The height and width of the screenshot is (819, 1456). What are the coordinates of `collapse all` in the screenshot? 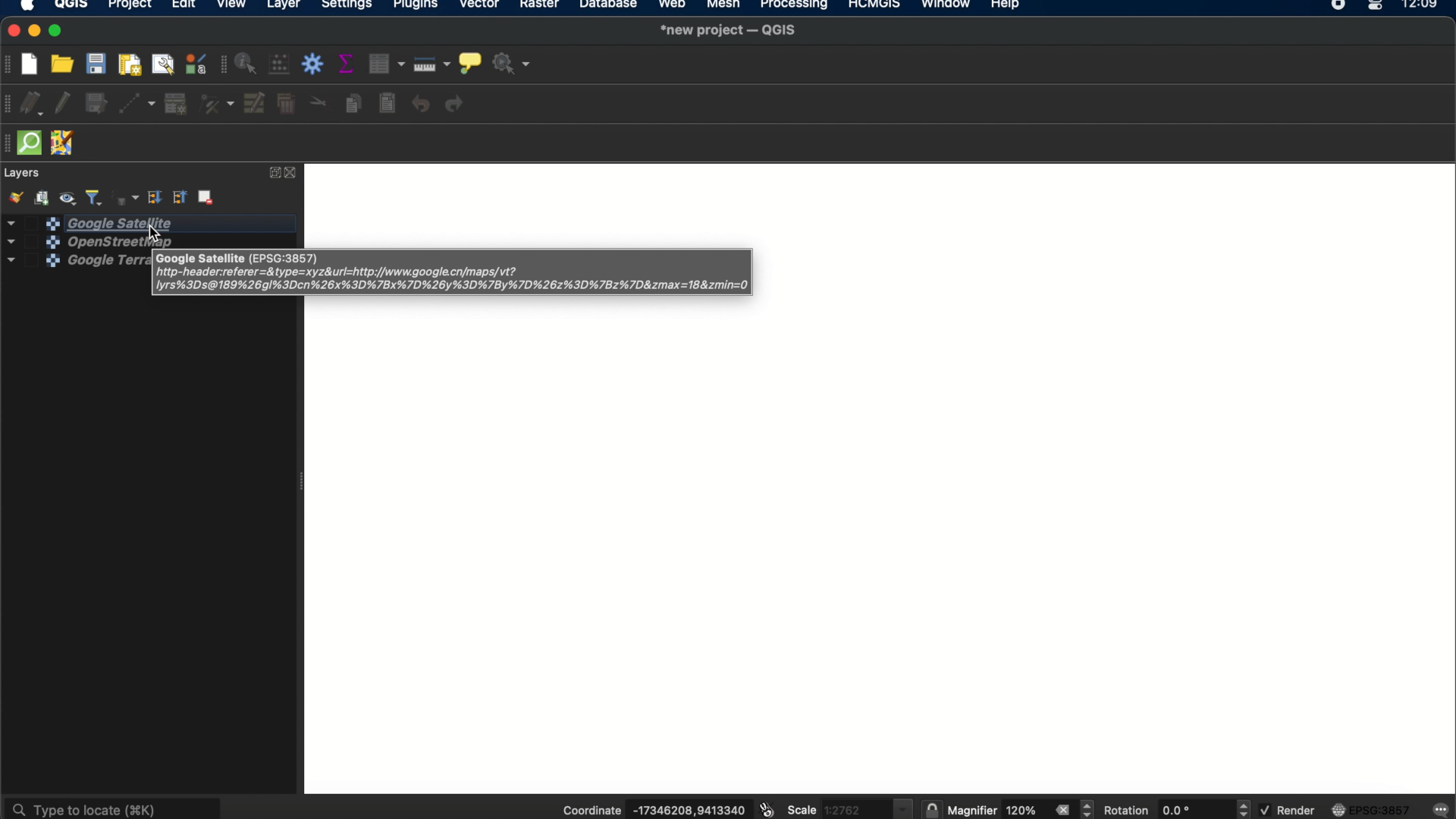 It's located at (180, 198).